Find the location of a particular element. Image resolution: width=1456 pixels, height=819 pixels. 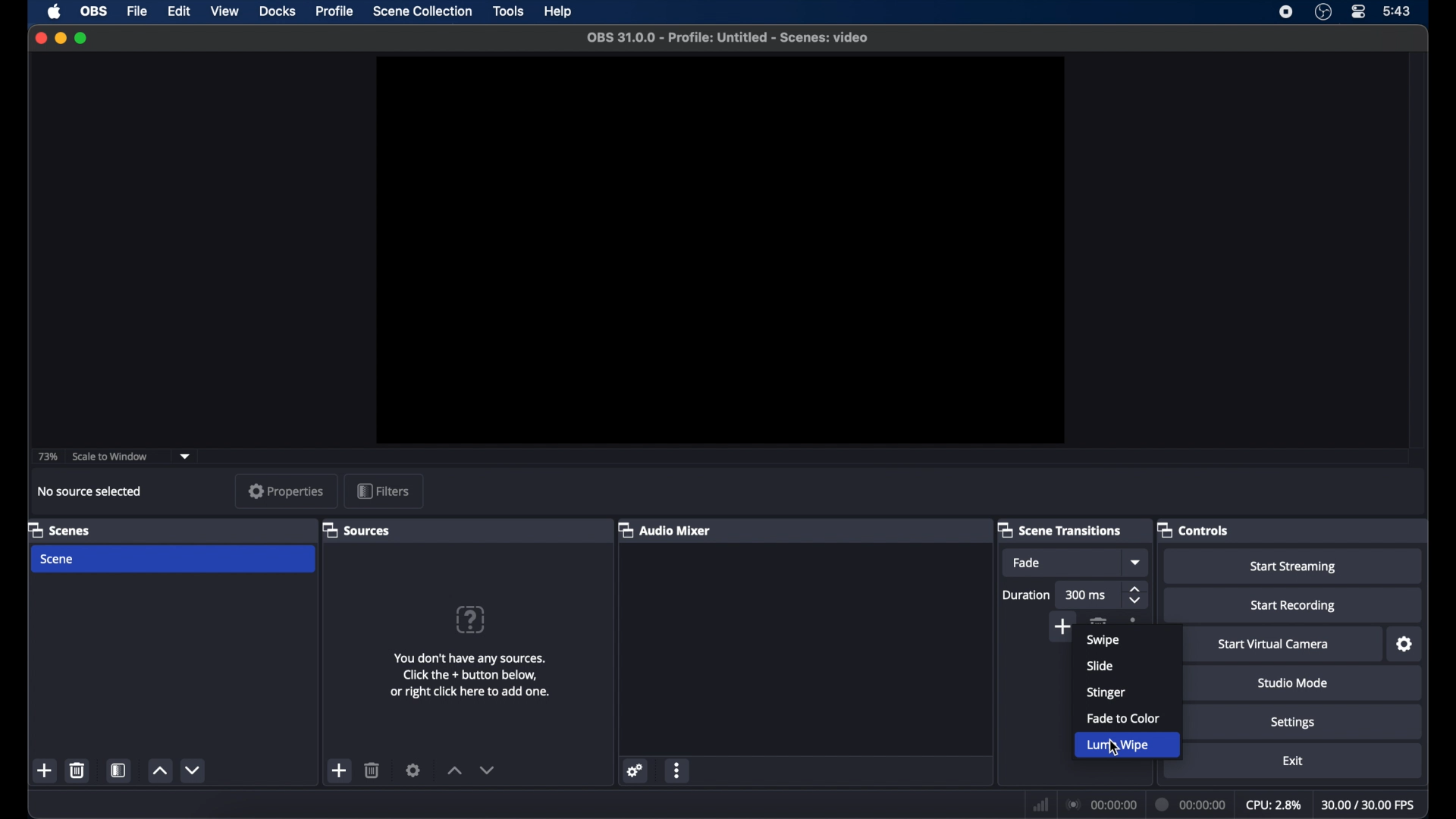

settings is located at coordinates (1404, 645).